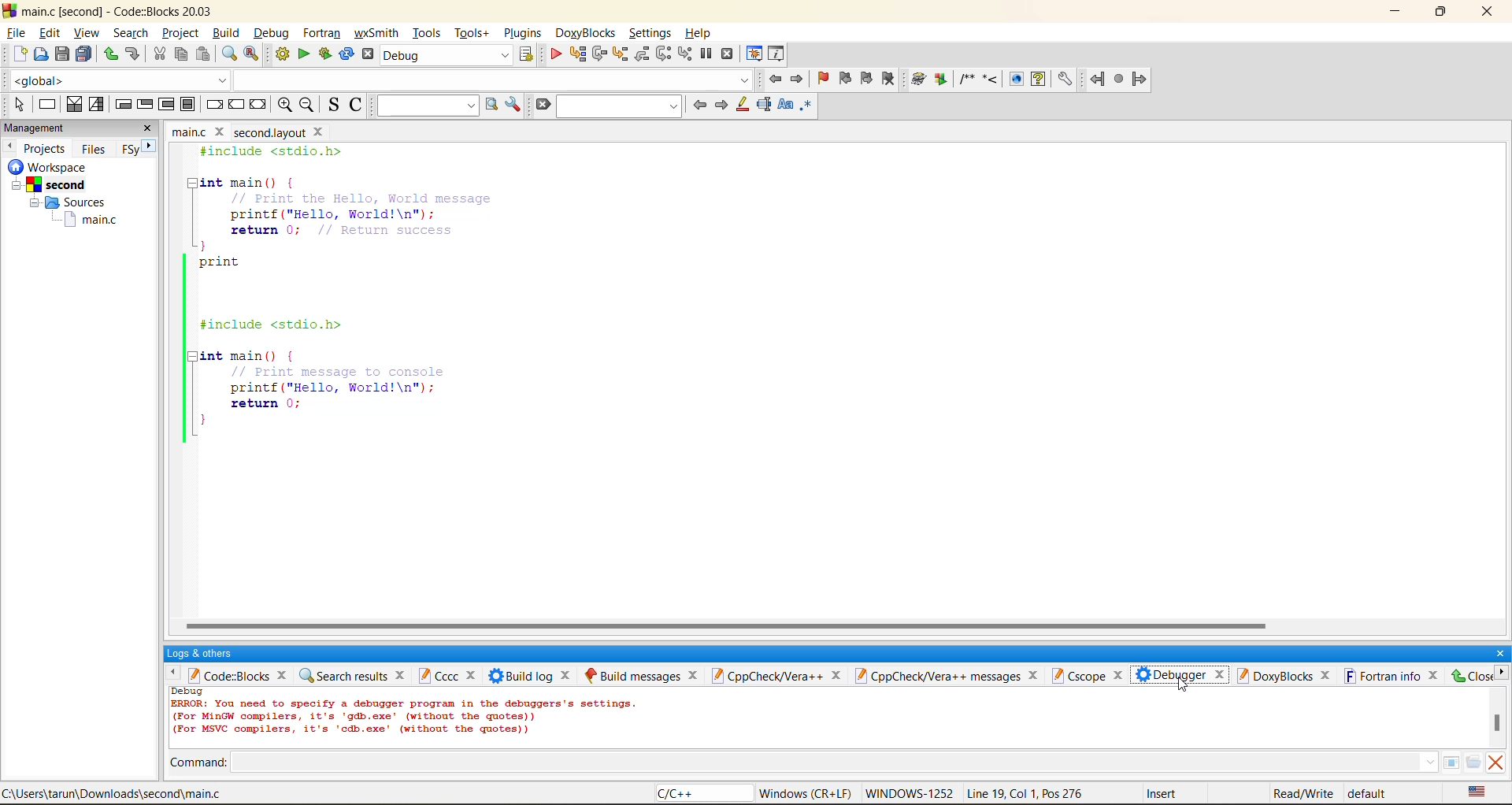 This screenshot has height=805, width=1512. What do you see at coordinates (524, 54) in the screenshot?
I see `show select target dialog` at bounding box center [524, 54].